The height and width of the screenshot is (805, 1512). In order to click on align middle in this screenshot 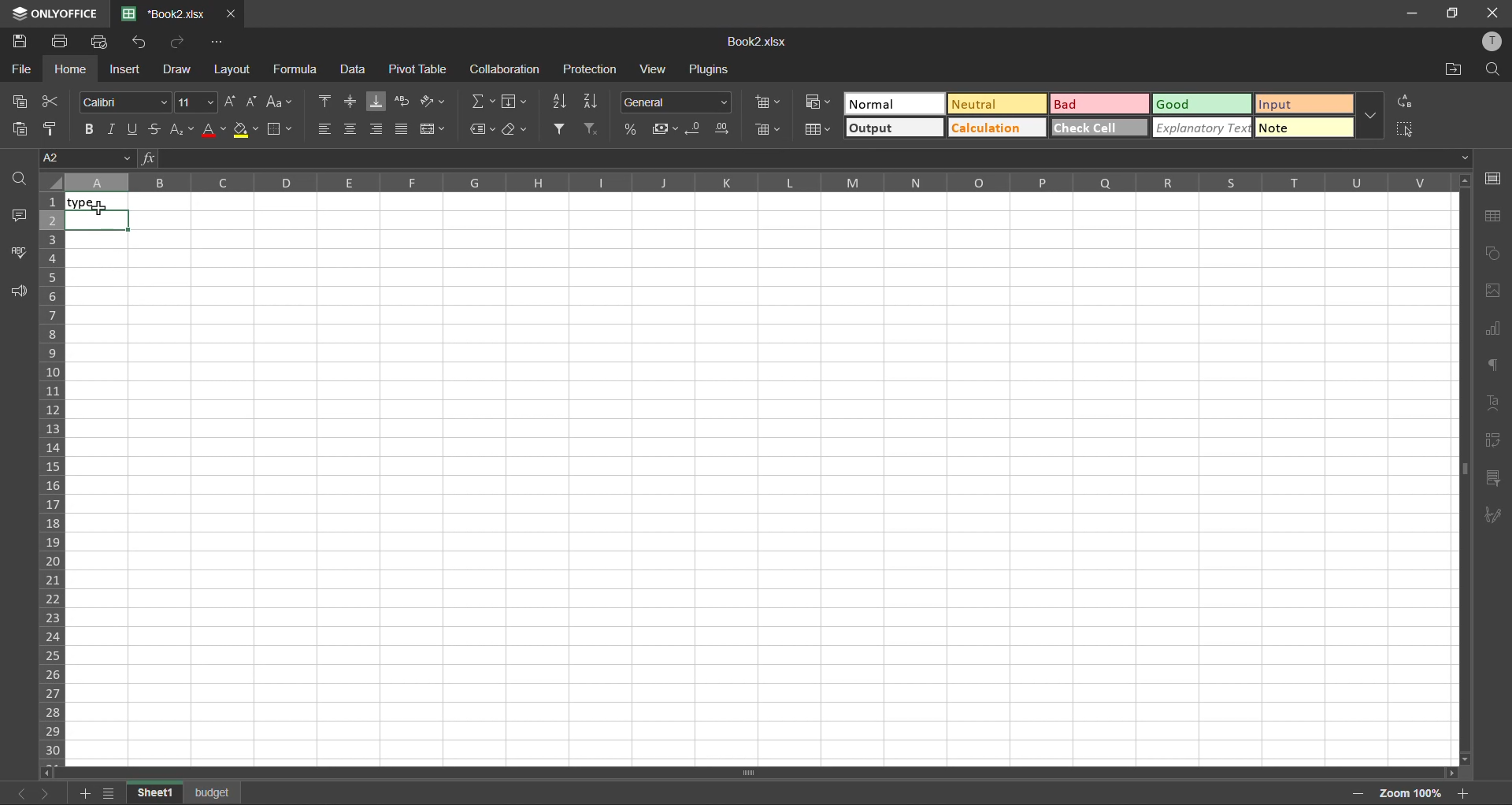, I will do `click(350, 102)`.